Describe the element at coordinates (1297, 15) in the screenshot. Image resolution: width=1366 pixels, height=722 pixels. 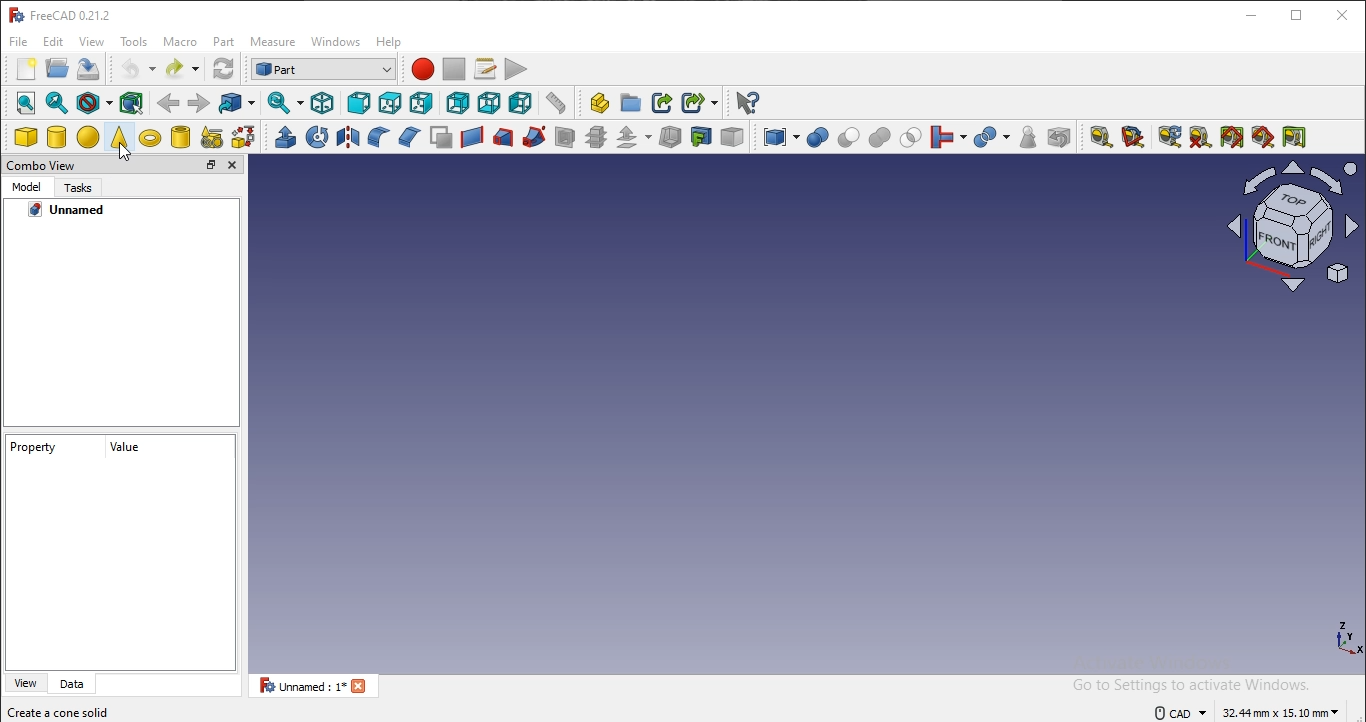
I see `restore window` at that location.